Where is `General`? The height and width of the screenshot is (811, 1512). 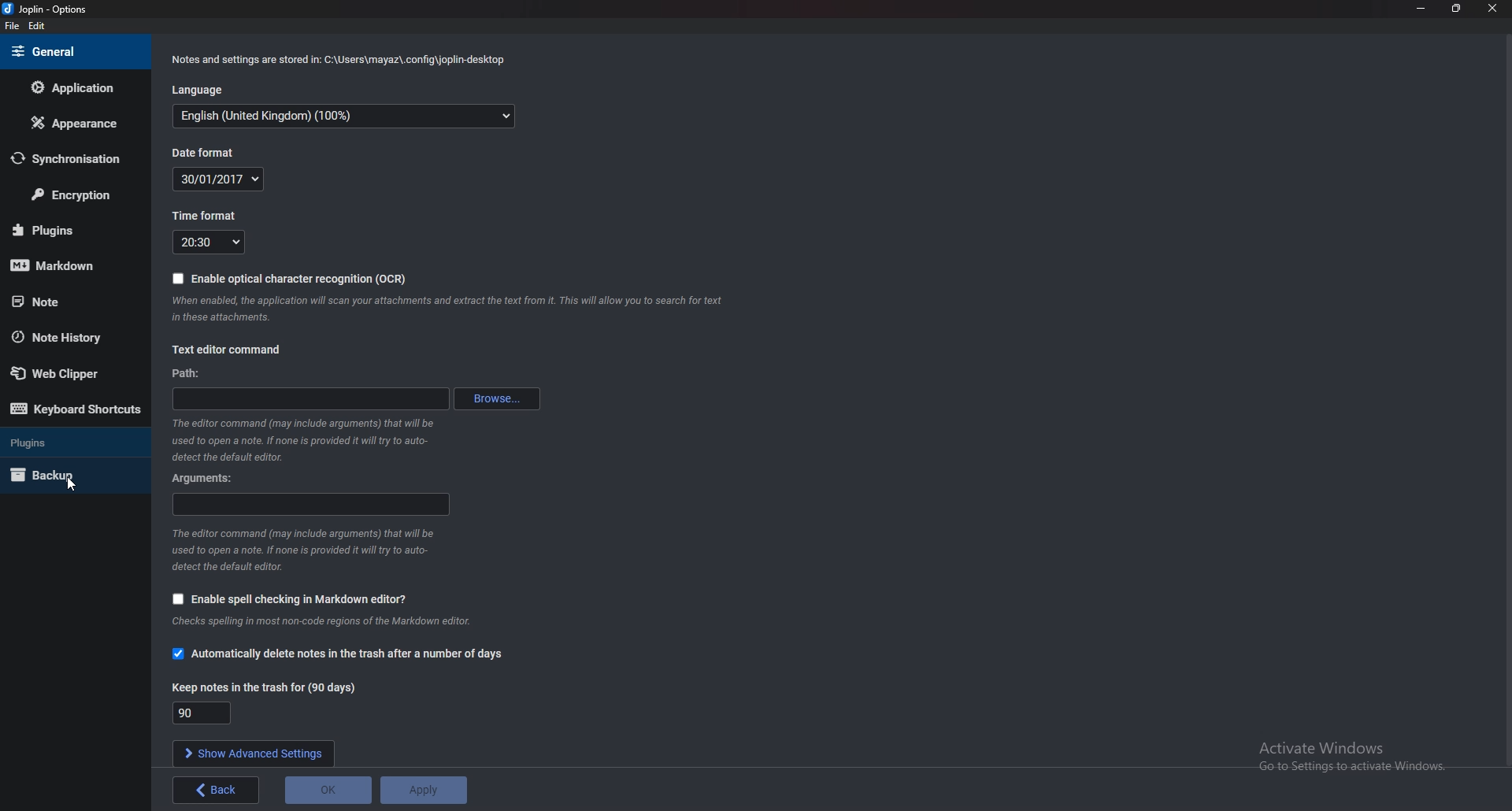 General is located at coordinates (73, 52).